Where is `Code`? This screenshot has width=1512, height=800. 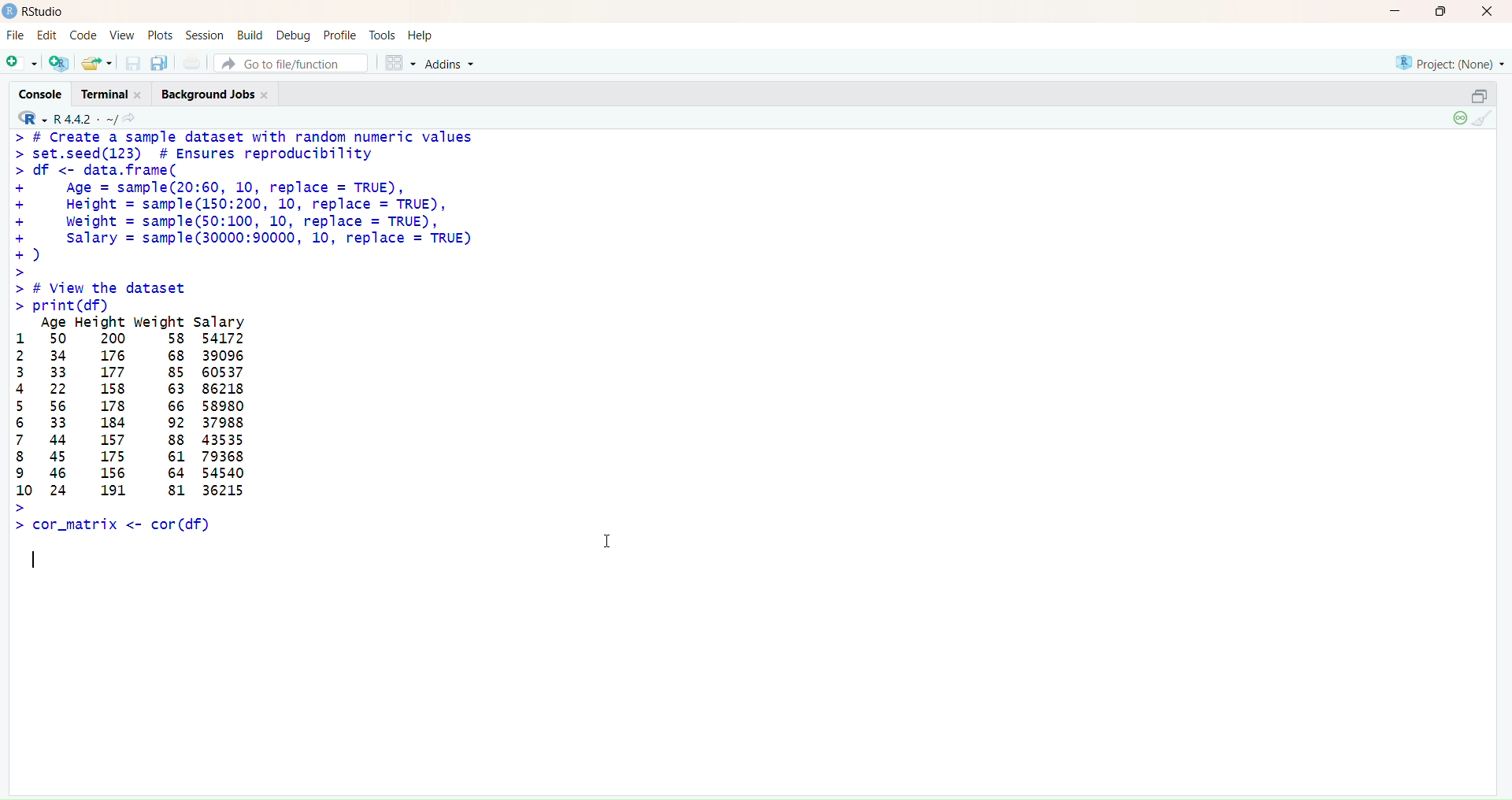
Code is located at coordinates (82, 36).